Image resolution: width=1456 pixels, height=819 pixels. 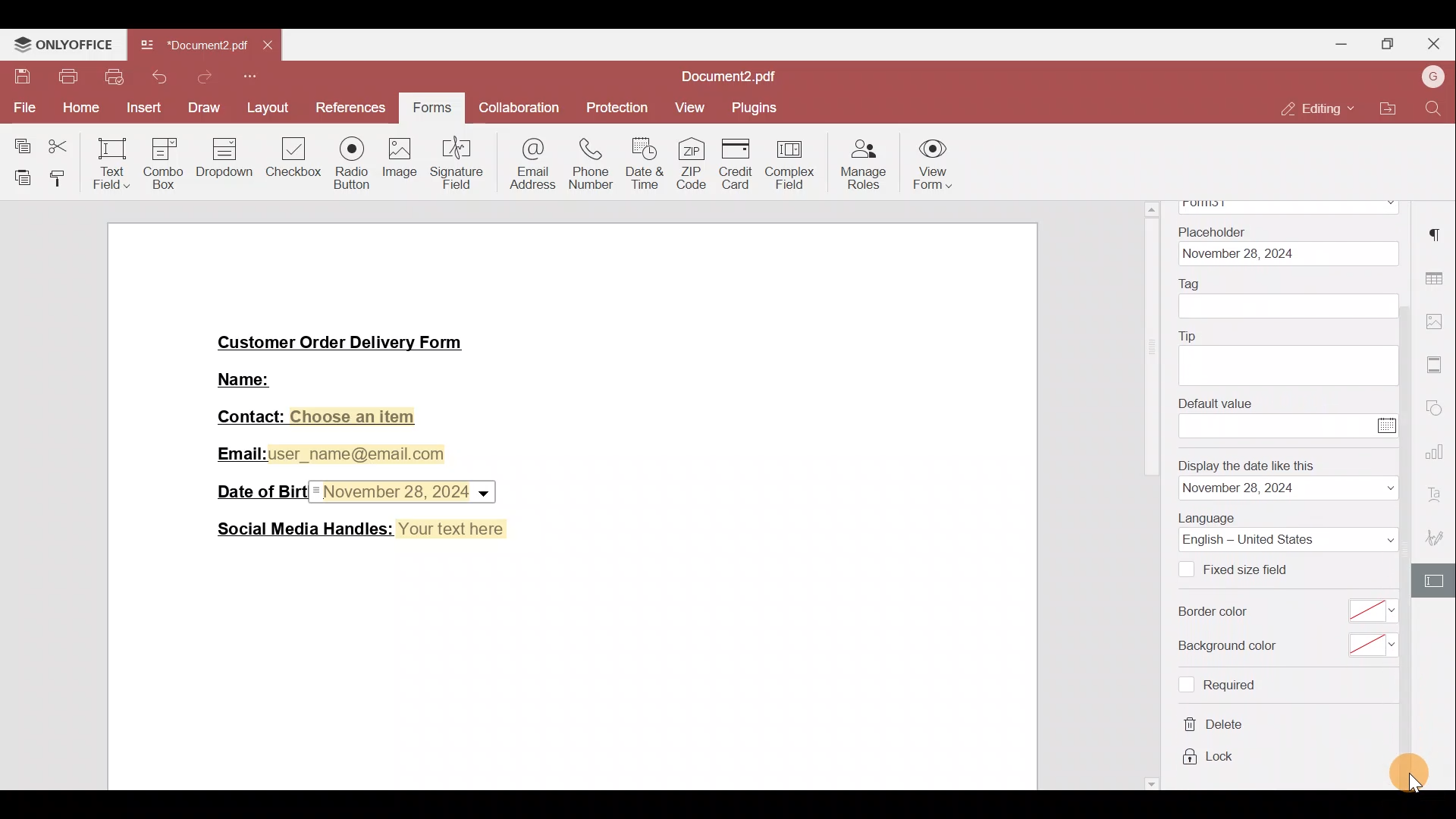 What do you see at coordinates (761, 107) in the screenshot?
I see `Plugins` at bounding box center [761, 107].